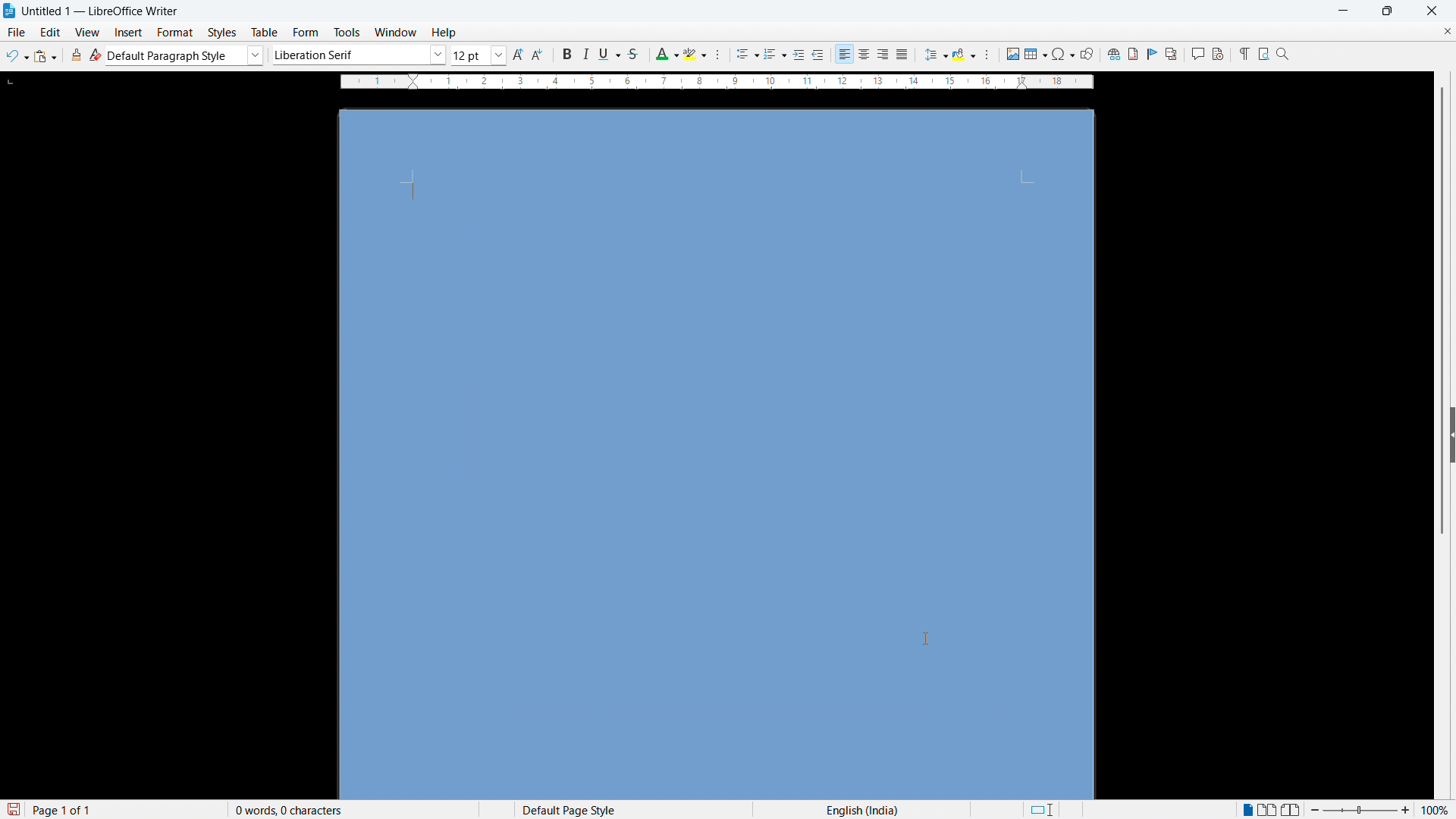  Describe the element at coordinates (1172, 54) in the screenshot. I see `Insert cross reference ` at that location.